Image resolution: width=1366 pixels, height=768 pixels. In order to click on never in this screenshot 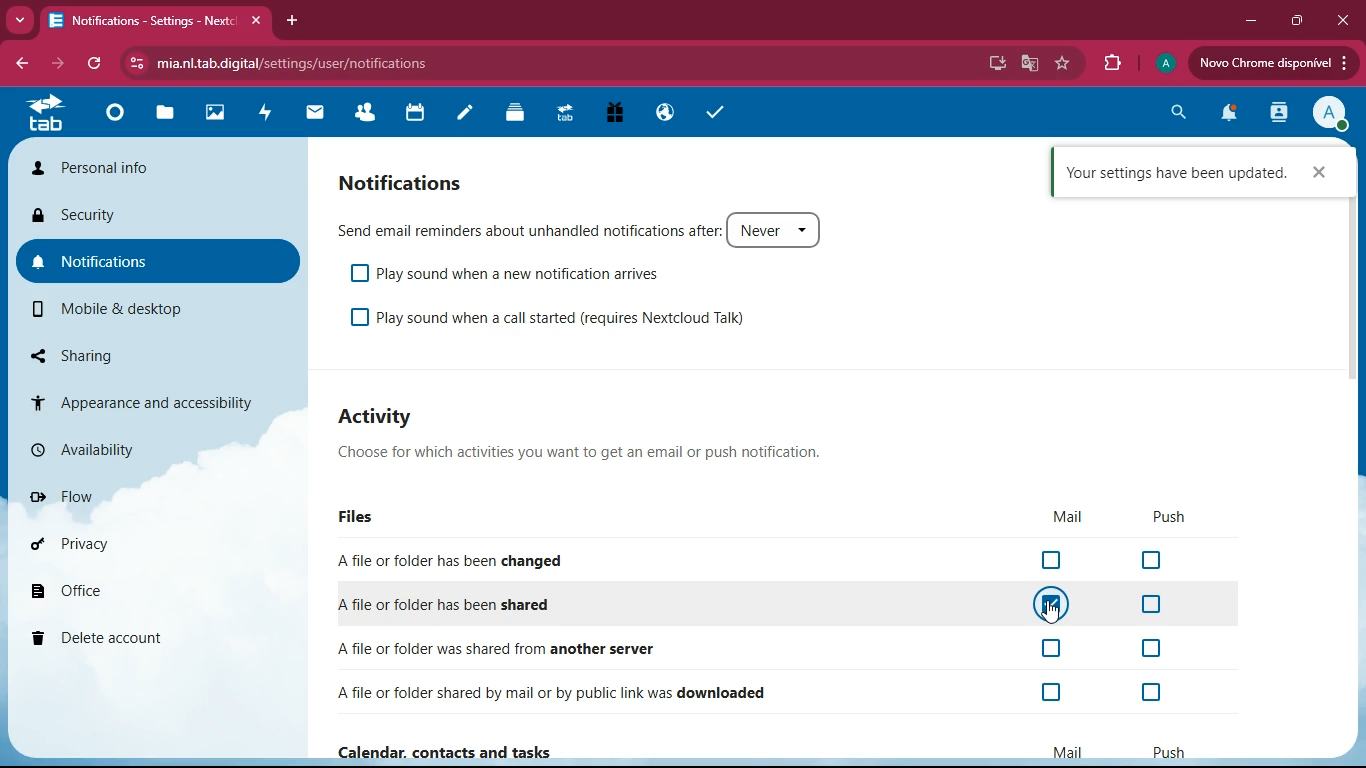, I will do `click(775, 229)`.